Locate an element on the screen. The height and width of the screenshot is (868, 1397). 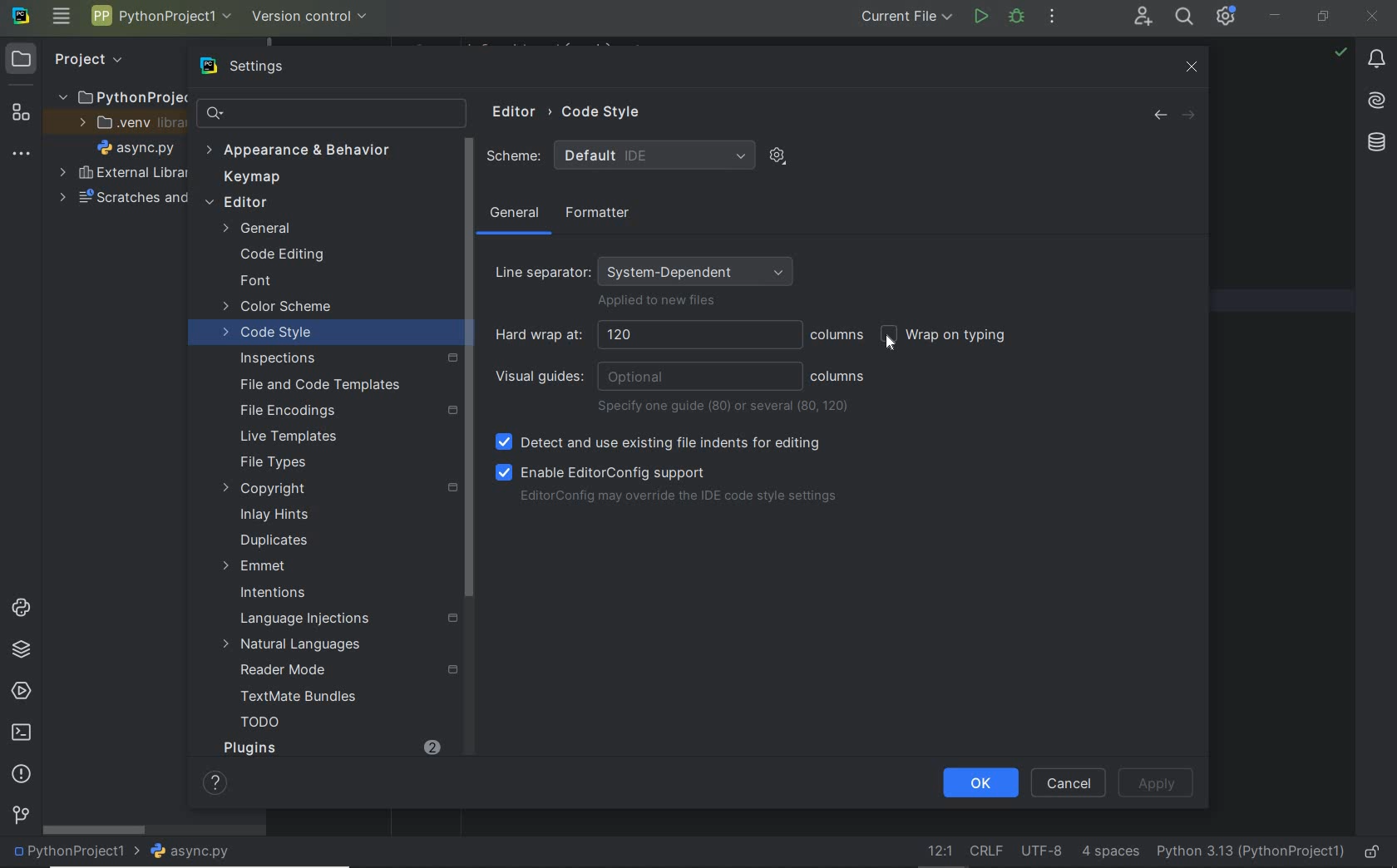
APPLY is located at coordinates (1163, 783).